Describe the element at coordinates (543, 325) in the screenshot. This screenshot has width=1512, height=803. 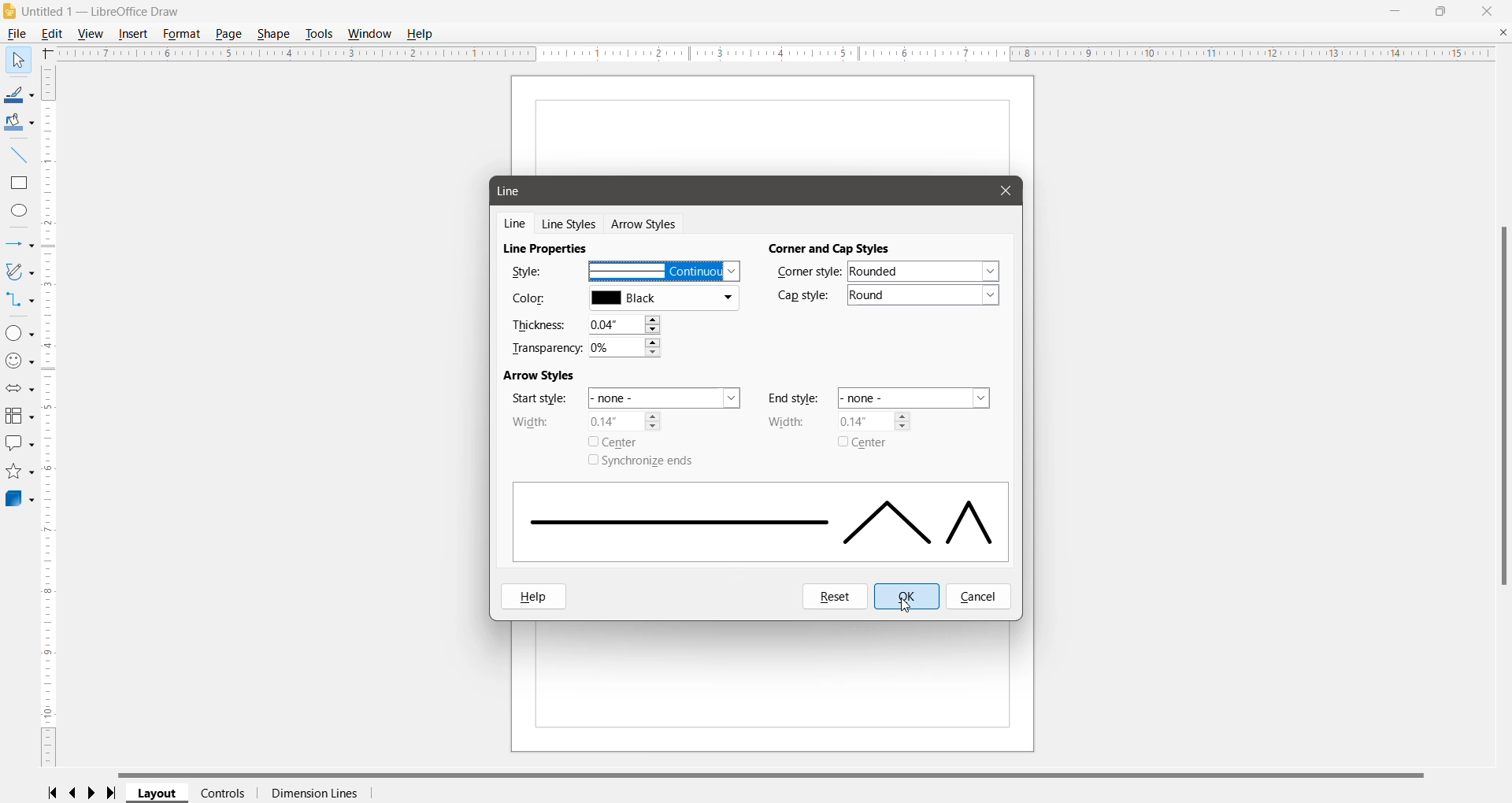
I see `Thickness` at that location.